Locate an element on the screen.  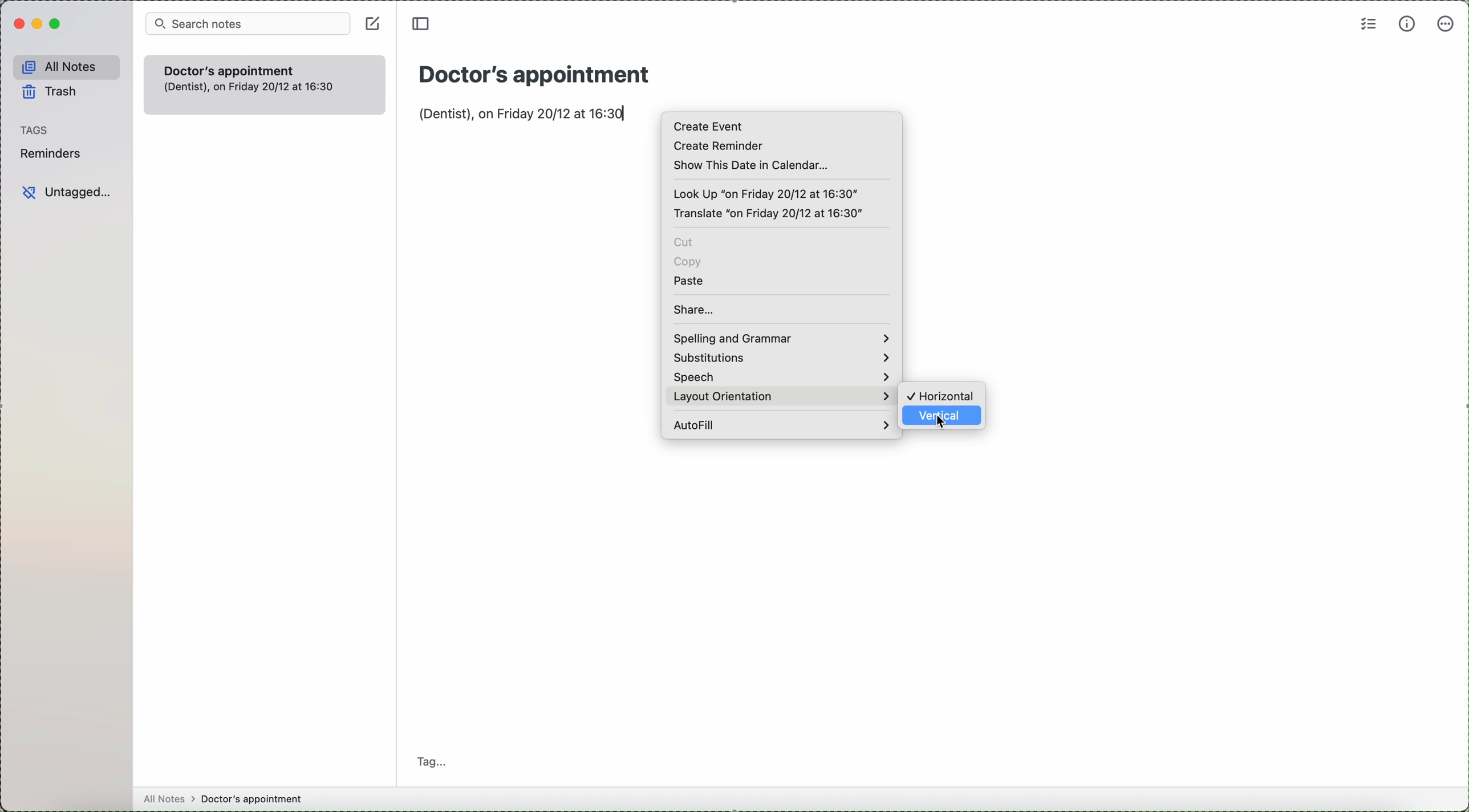
body text: dentist on friday 20/12 at 16:30 is located at coordinates (521, 113).